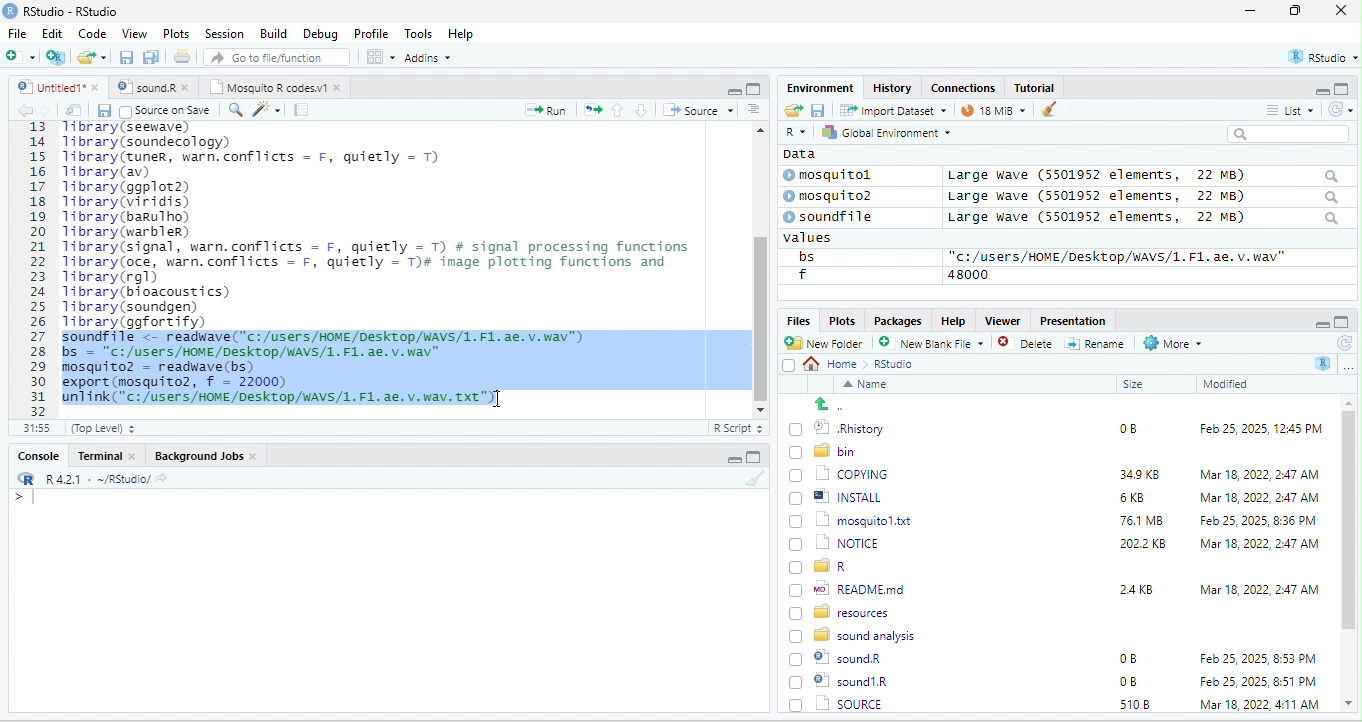 The image size is (1362, 722). Describe the element at coordinates (34, 428) in the screenshot. I see `31:55` at that location.